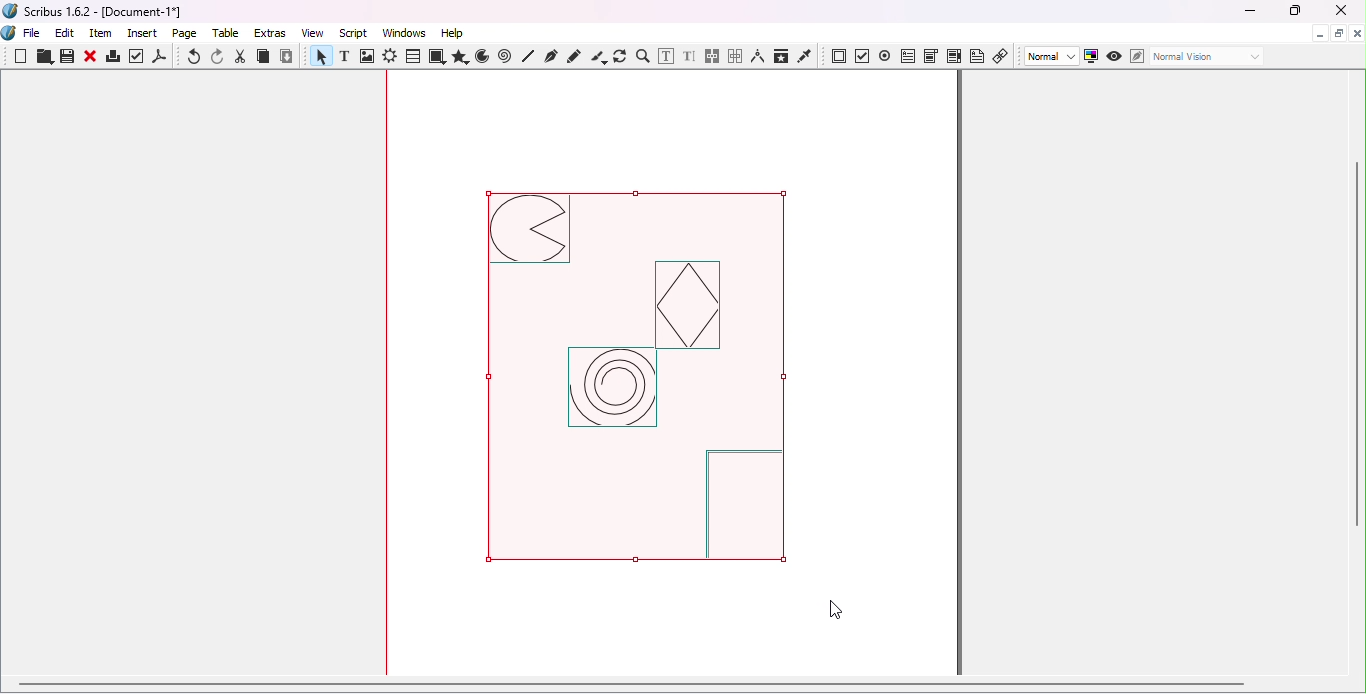 This screenshot has height=694, width=1366. Describe the element at coordinates (390, 58) in the screenshot. I see `Render frame` at that location.